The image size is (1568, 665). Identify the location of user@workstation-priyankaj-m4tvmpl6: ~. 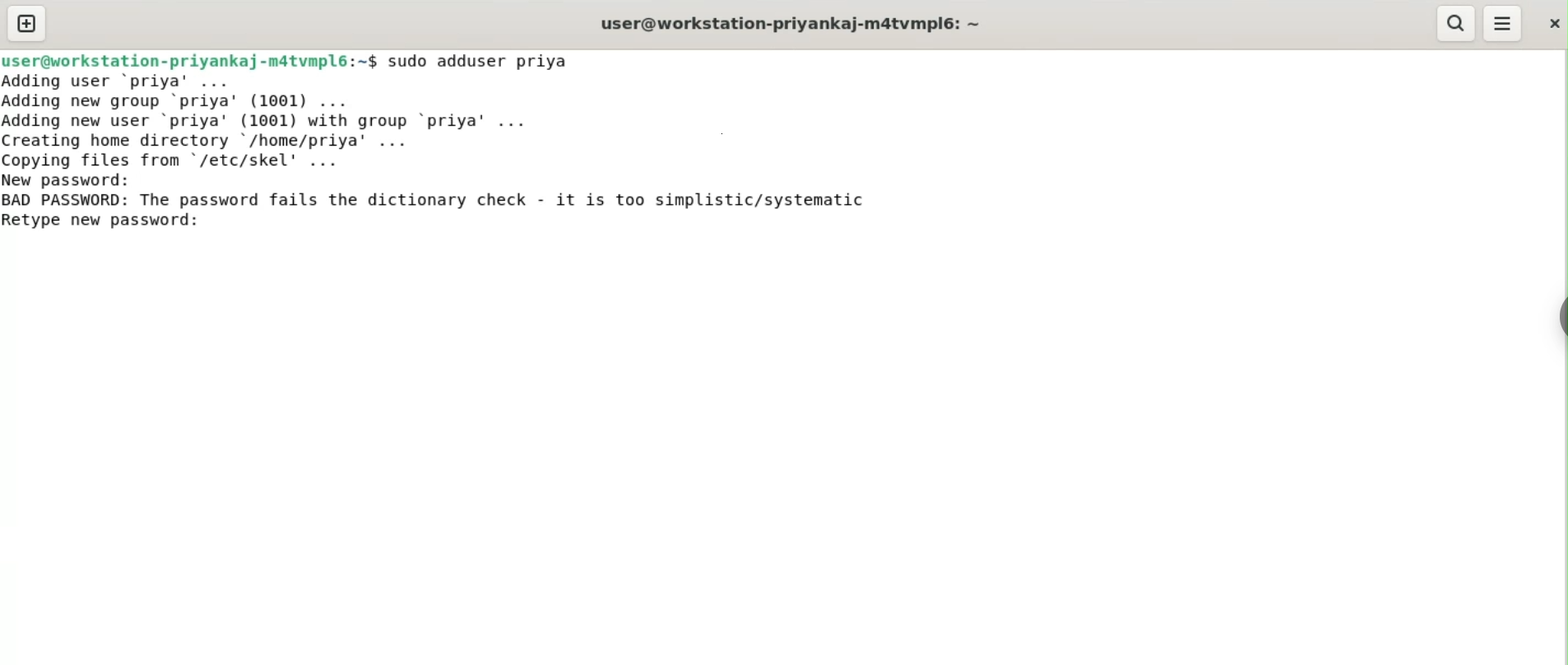
(791, 26).